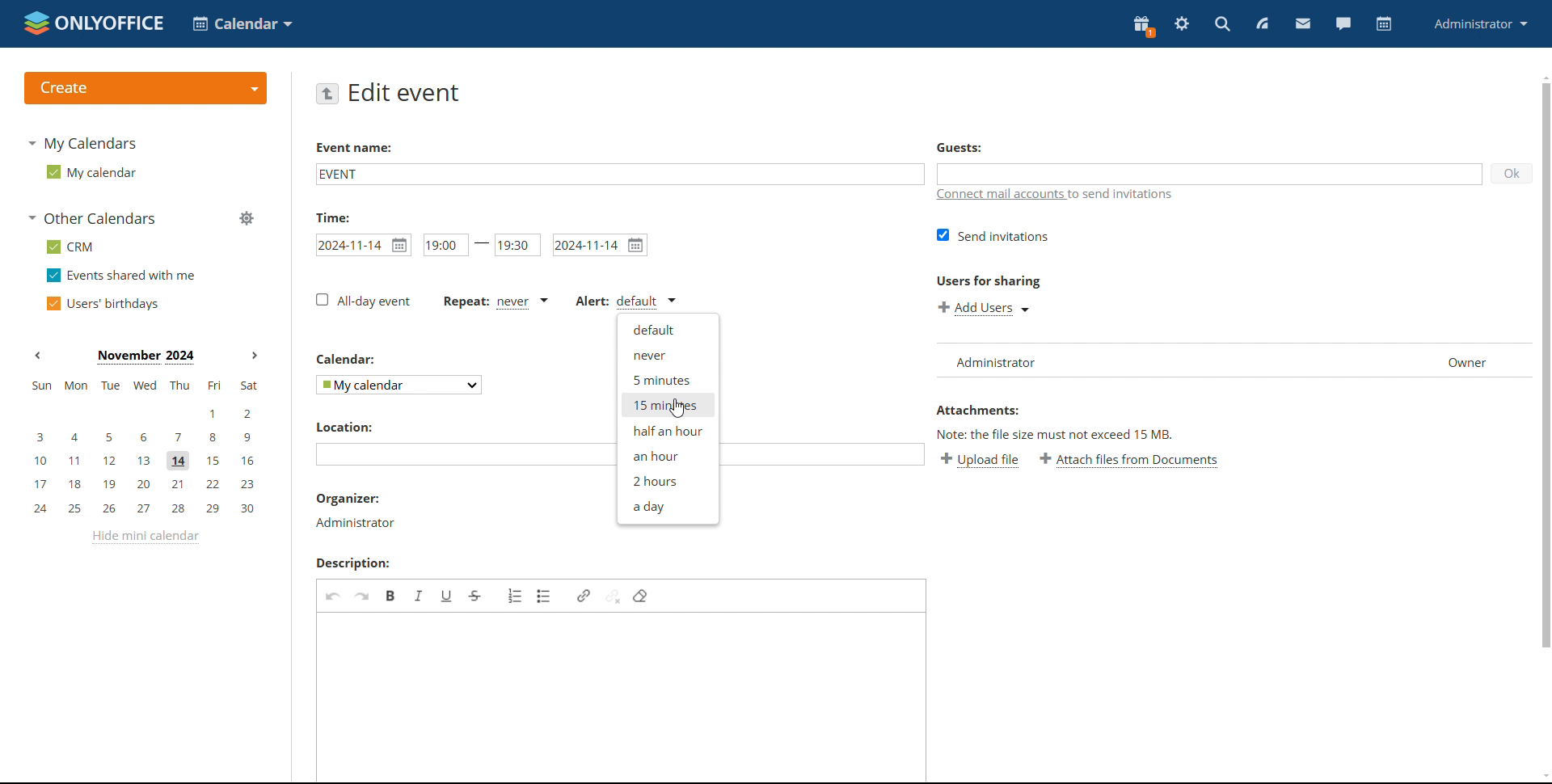  Describe the element at coordinates (1512, 174) in the screenshot. I see `ok` at that location.